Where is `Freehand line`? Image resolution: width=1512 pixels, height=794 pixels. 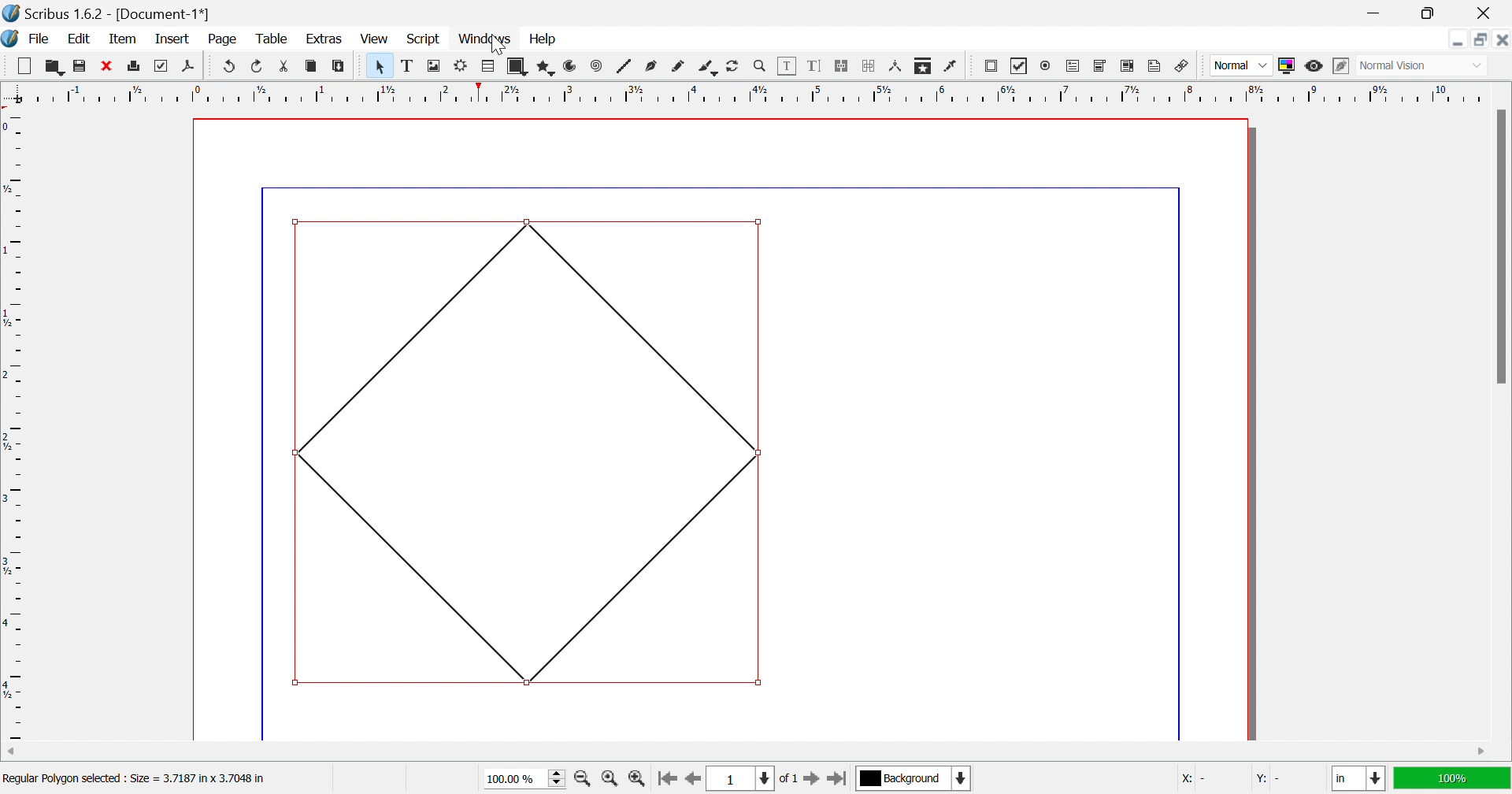
Freehand line is located at coordinates (678, 67).